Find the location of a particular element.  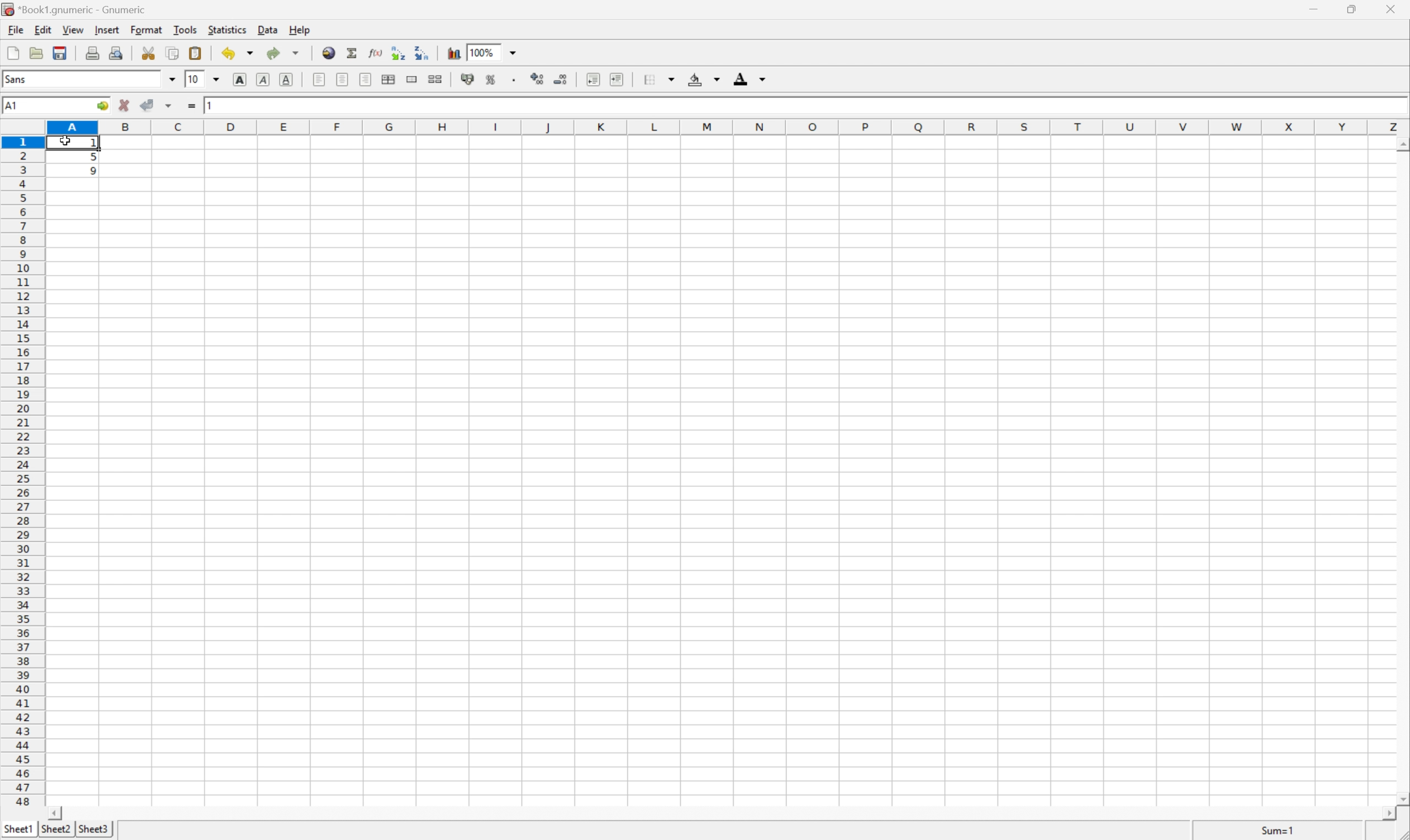

Set the format of the selected cells to include a thousands separator is located at coordinates (516, 80).